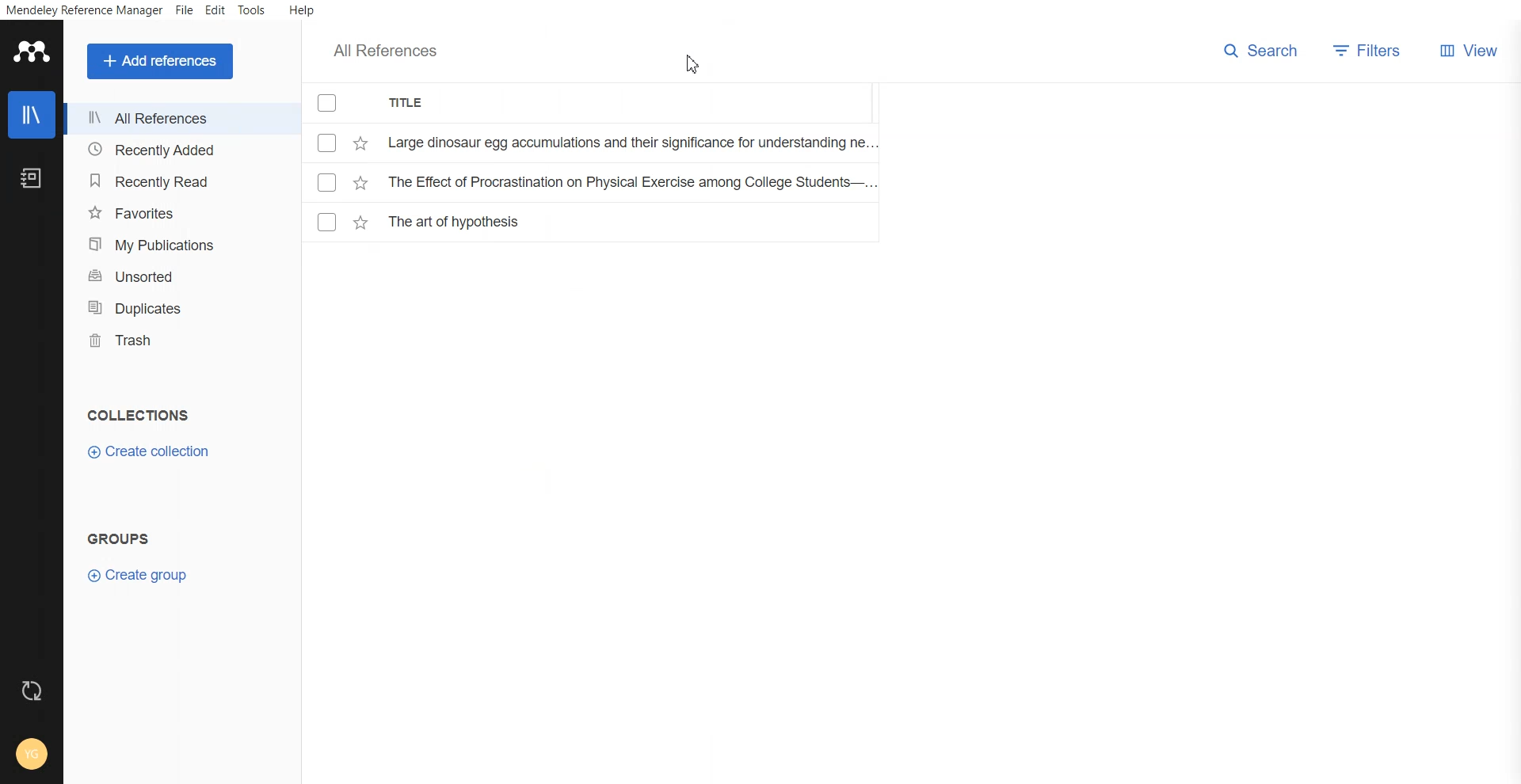 The height and width of the screenshot is (784, 1521). I want to click on My Publication, so click(170, 244).